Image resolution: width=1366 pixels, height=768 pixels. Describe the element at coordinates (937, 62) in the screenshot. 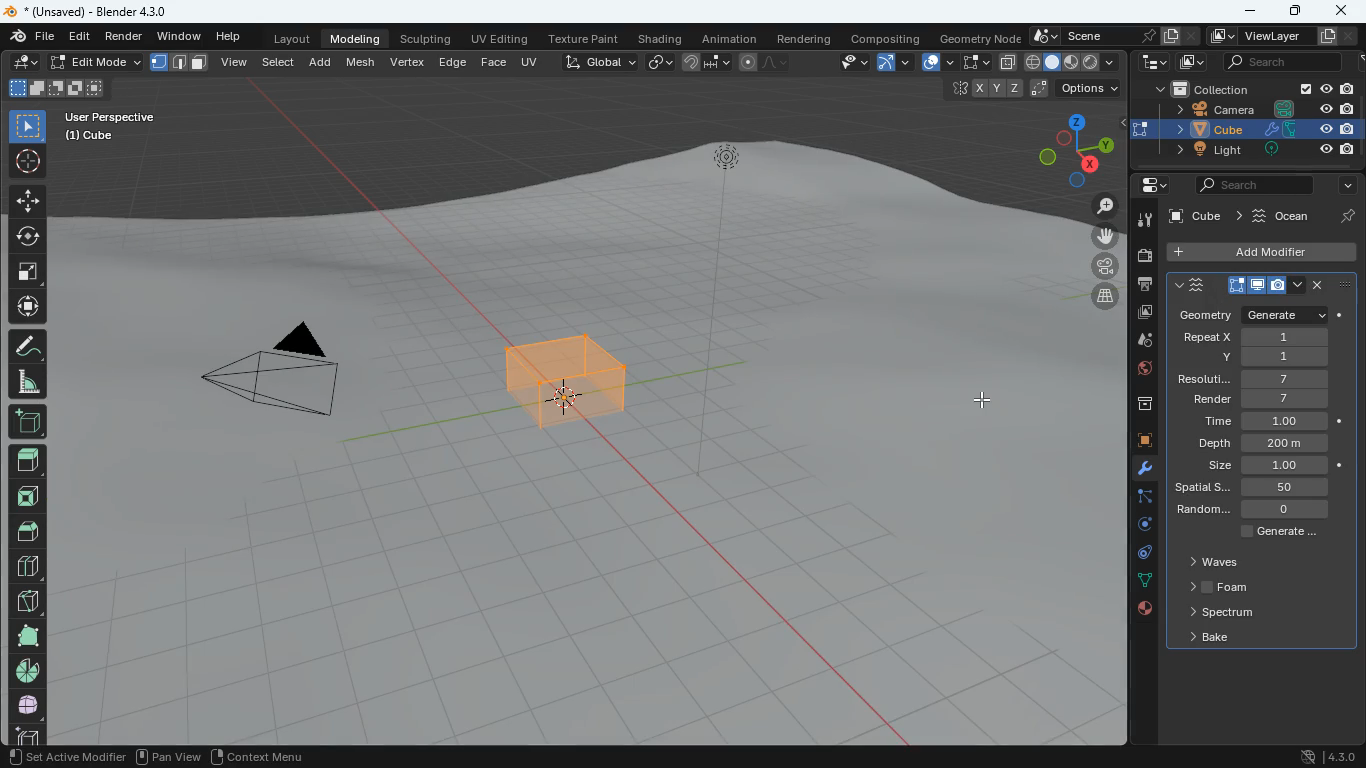

I see `overlap` at that location.